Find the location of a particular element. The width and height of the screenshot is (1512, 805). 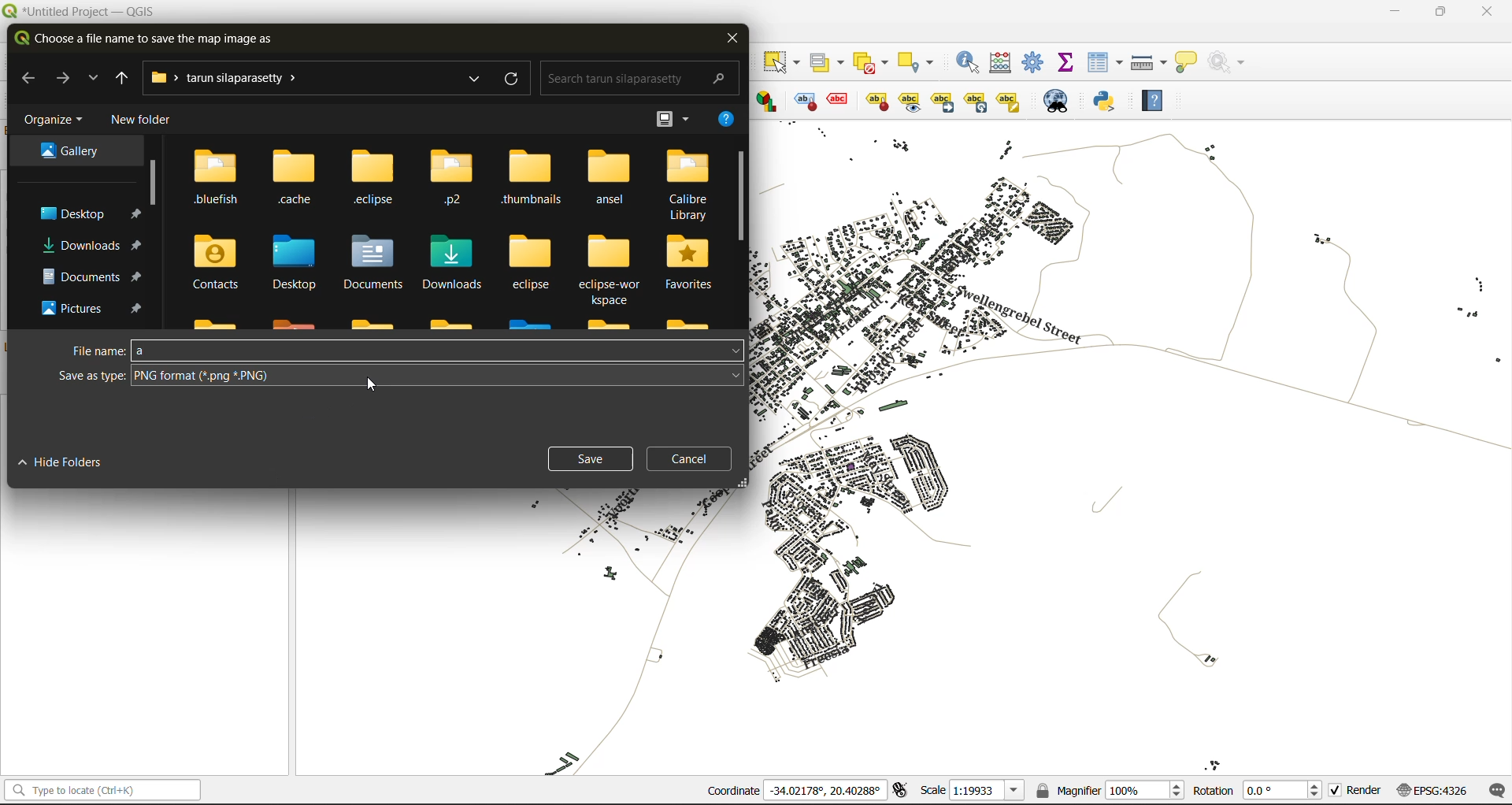

statistical summary is located at coordinates (1066, 64).